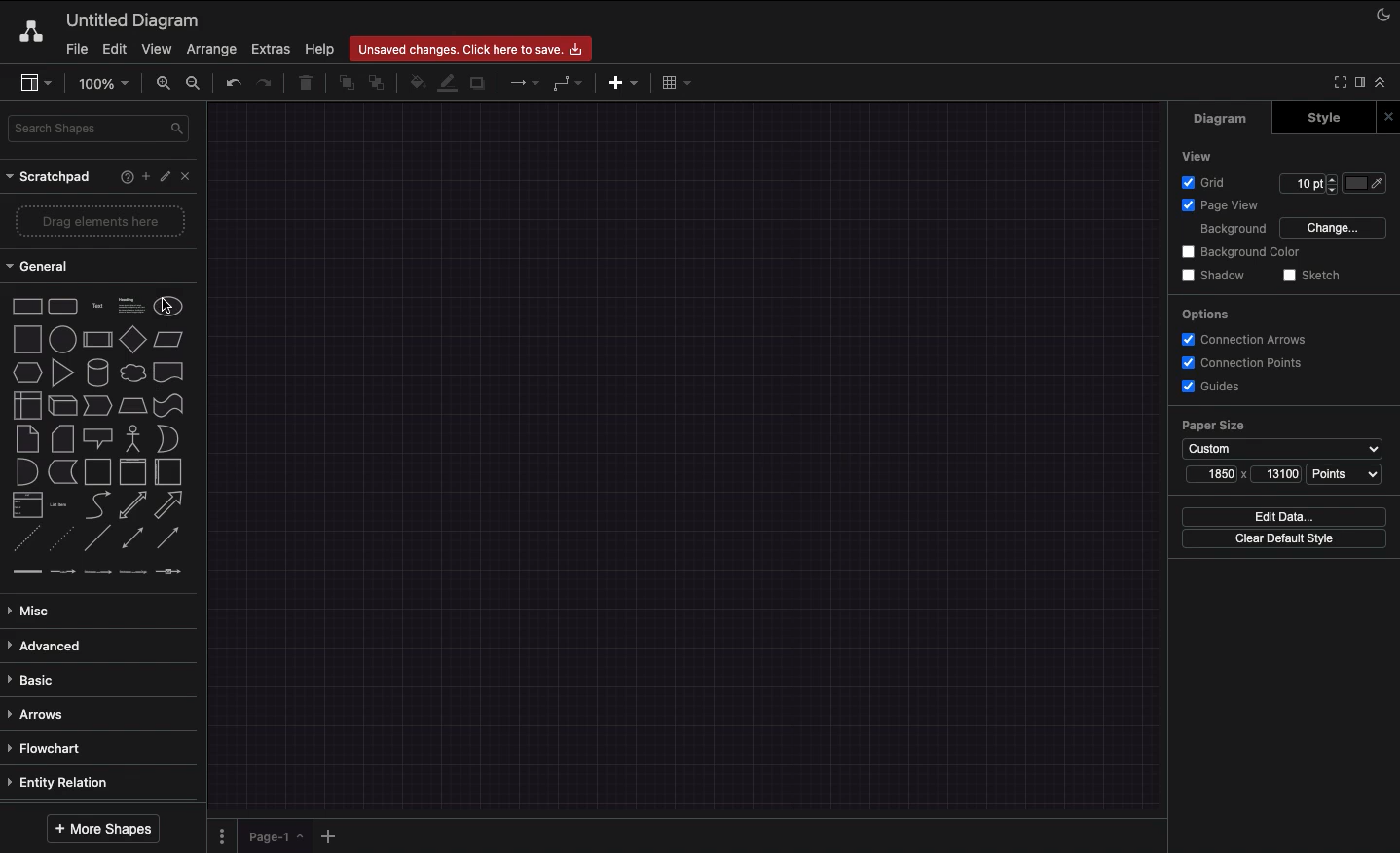 Image resolution: width=1400 pixels, height=853 pixels. What do you see at coordinates (167, 177) in the screenshot?
I see `Edit` at bounding box center [167, 177].